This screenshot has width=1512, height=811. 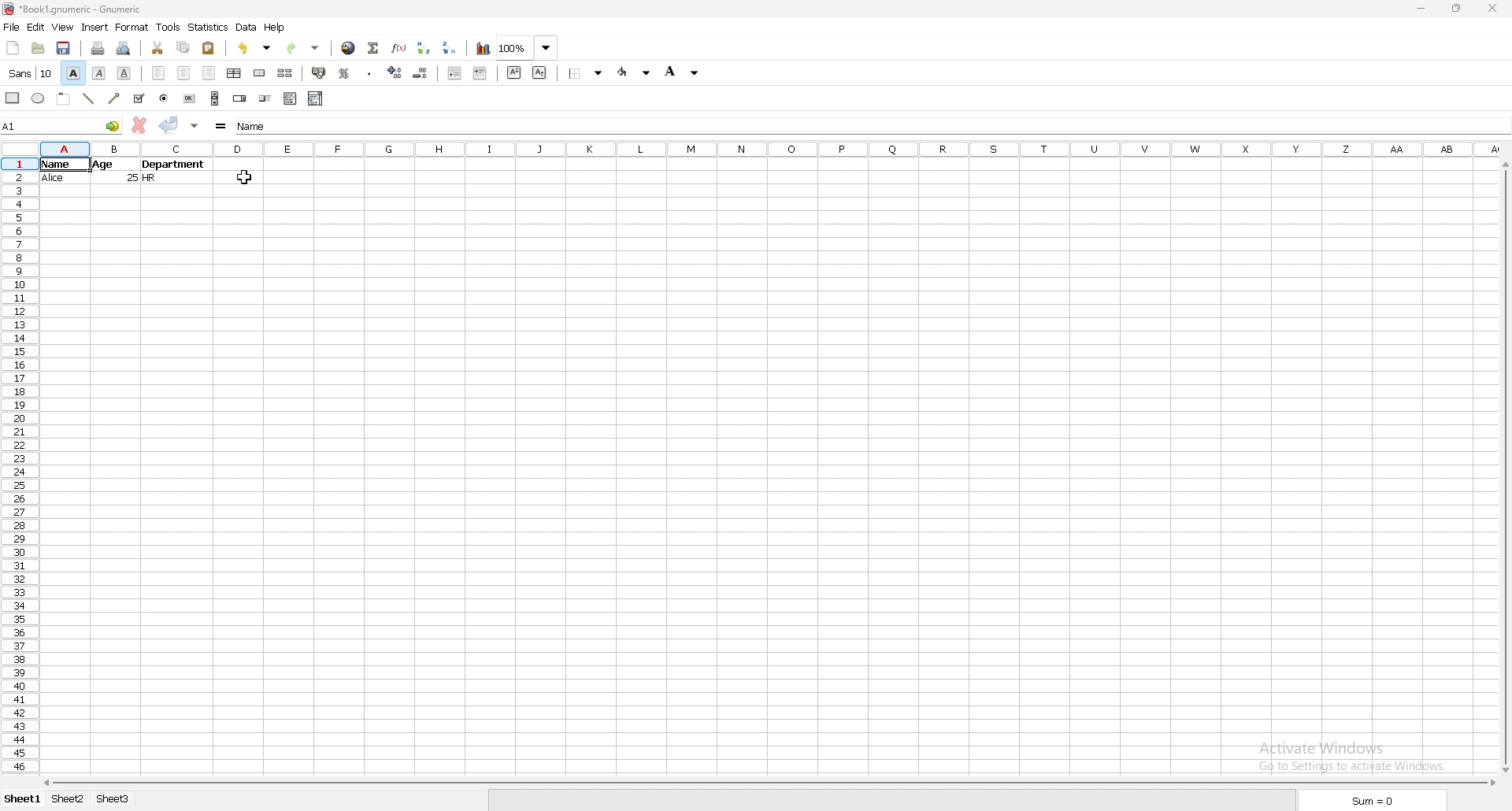 I want to click on cursor, so click(x=243, y=176).